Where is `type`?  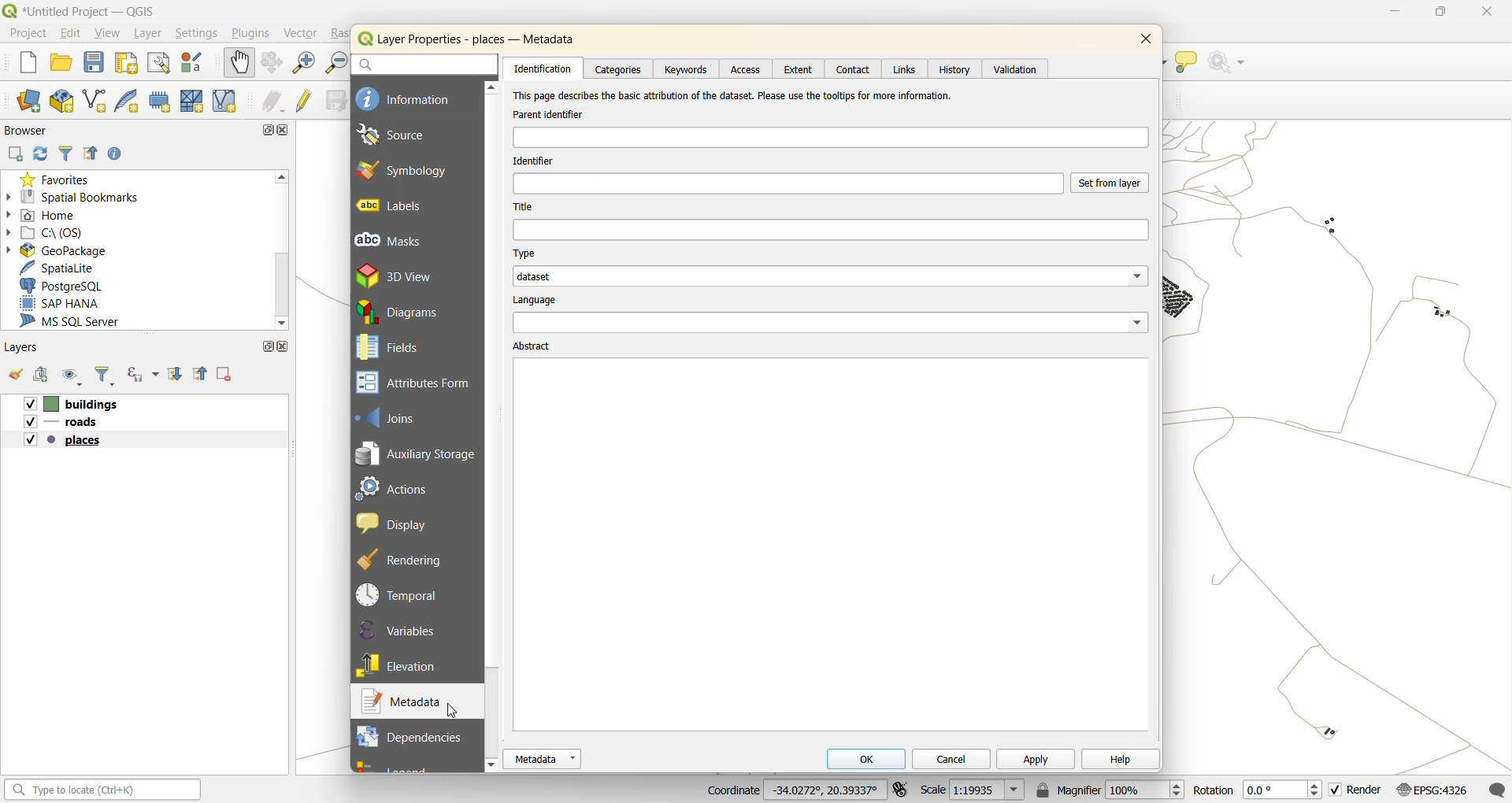 type is located at coordinates (528, 254).